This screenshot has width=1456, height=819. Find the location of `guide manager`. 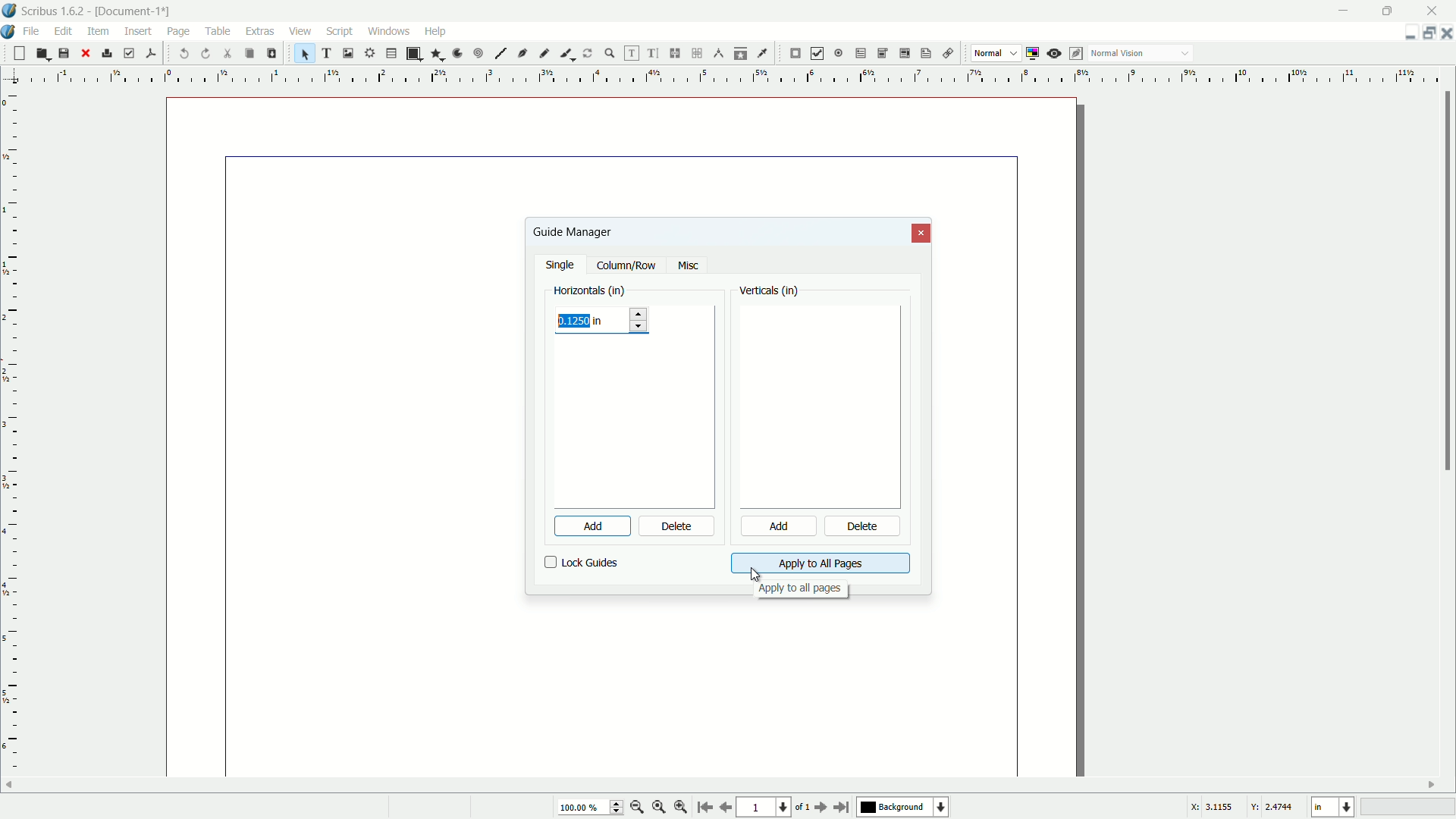

guide manager is located at coordinates (1405, 33).